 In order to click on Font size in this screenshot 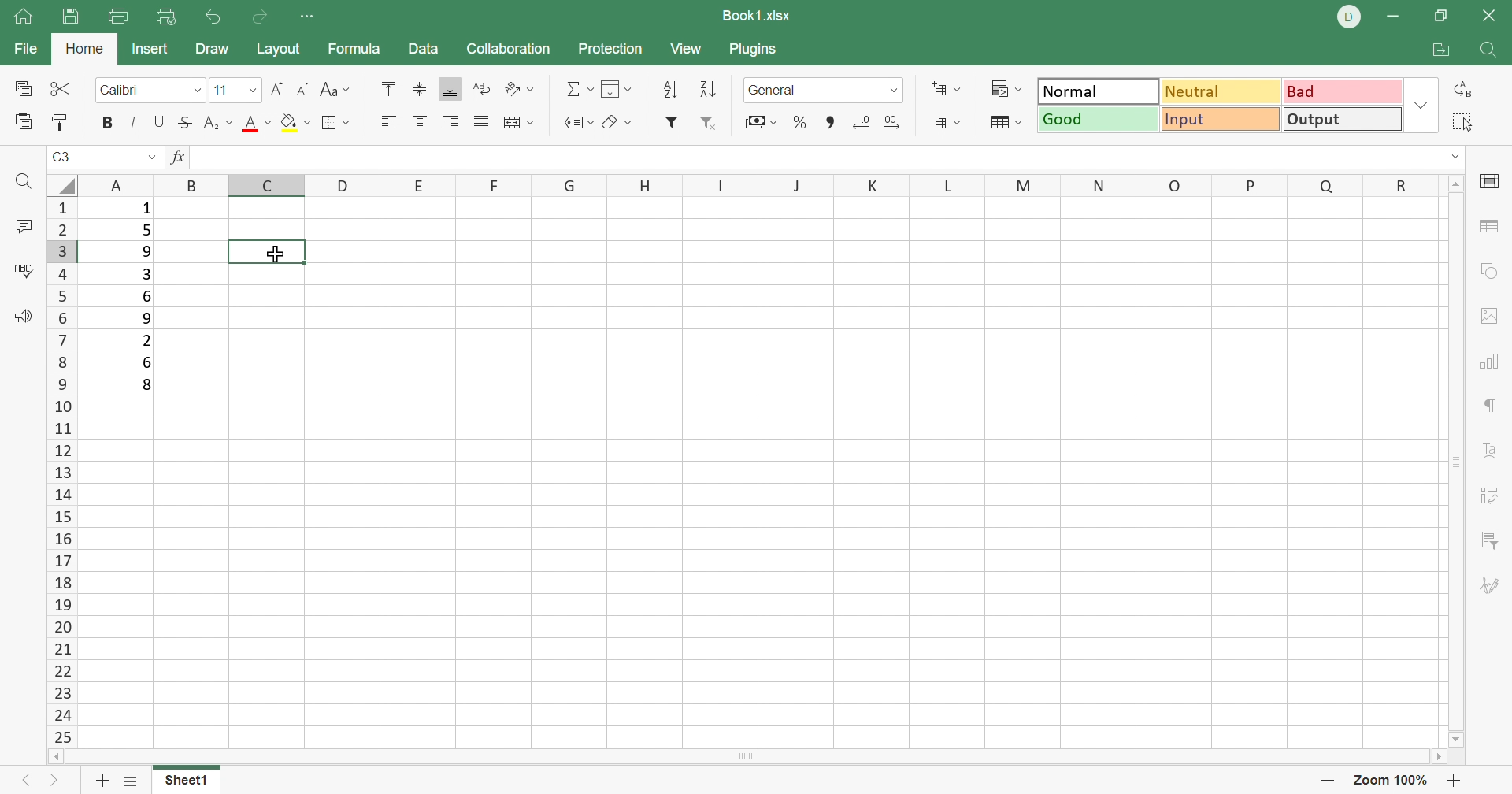, I will do `click(257, 127)`.